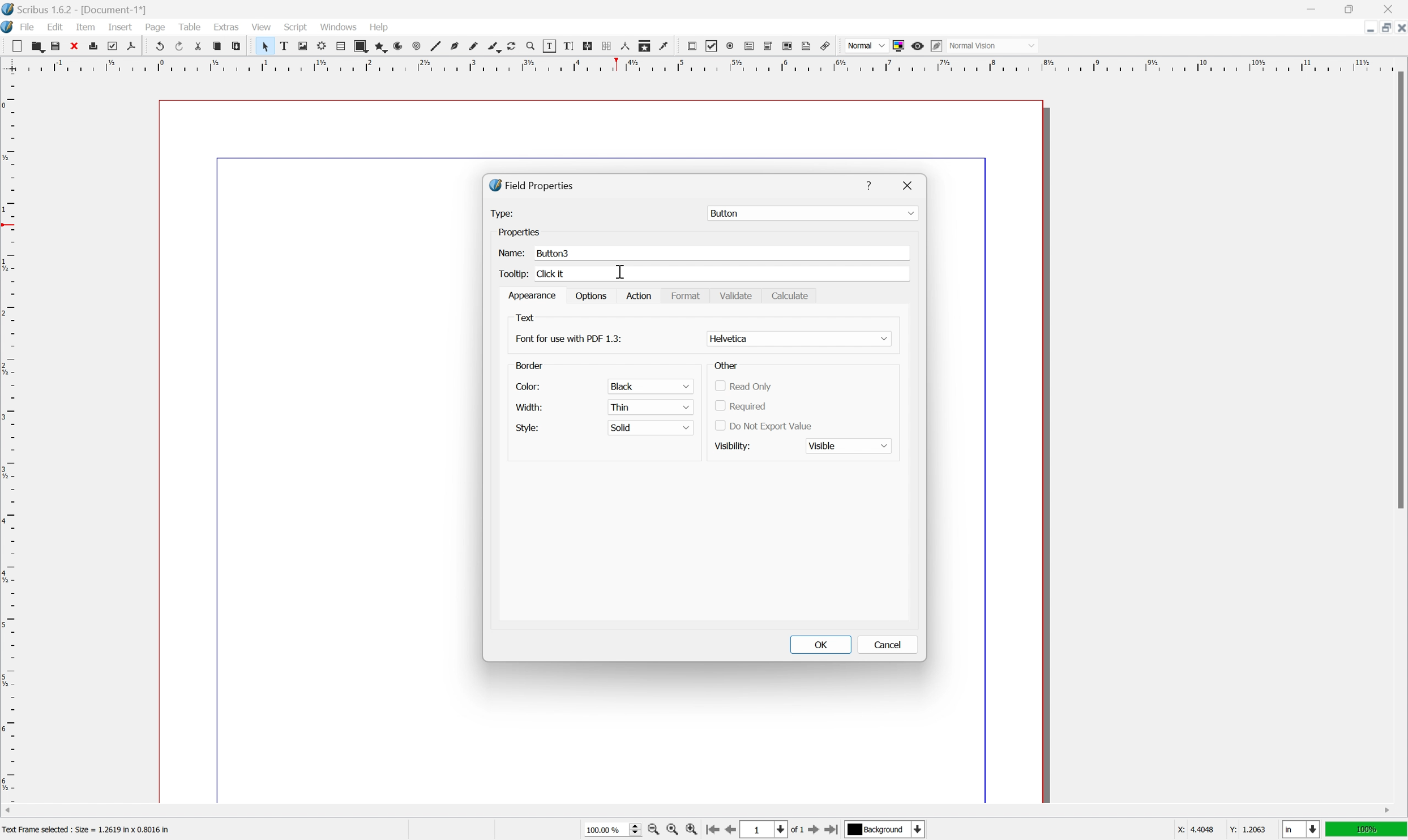  I want to click on text annotation, so click(807, 46).